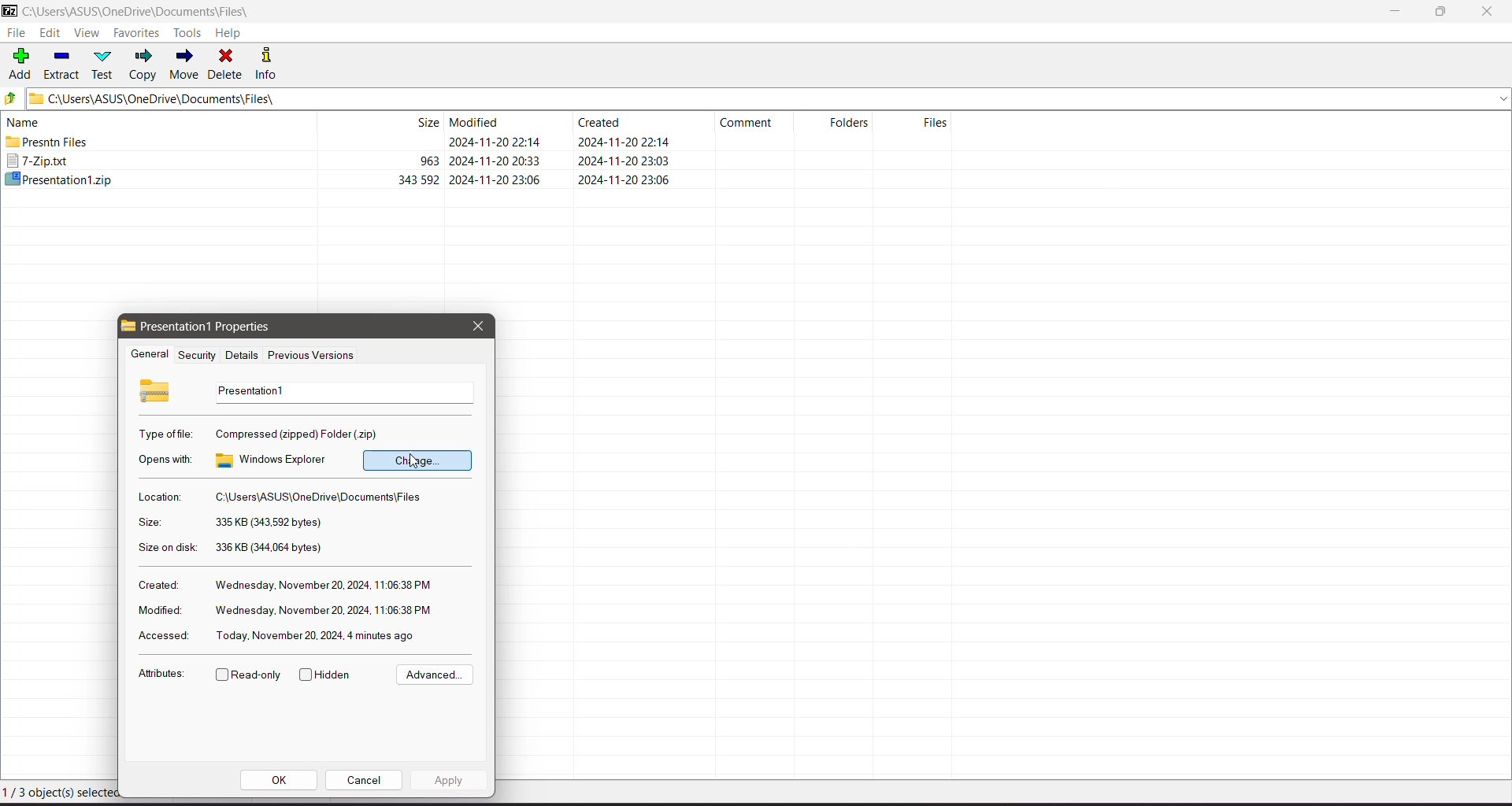 The height and width of the screenshot is (806, 1512). What do you see at coordinates (484, 121) in the screenshot?
I see `Current Folder View` at bounding box center [484, 121].